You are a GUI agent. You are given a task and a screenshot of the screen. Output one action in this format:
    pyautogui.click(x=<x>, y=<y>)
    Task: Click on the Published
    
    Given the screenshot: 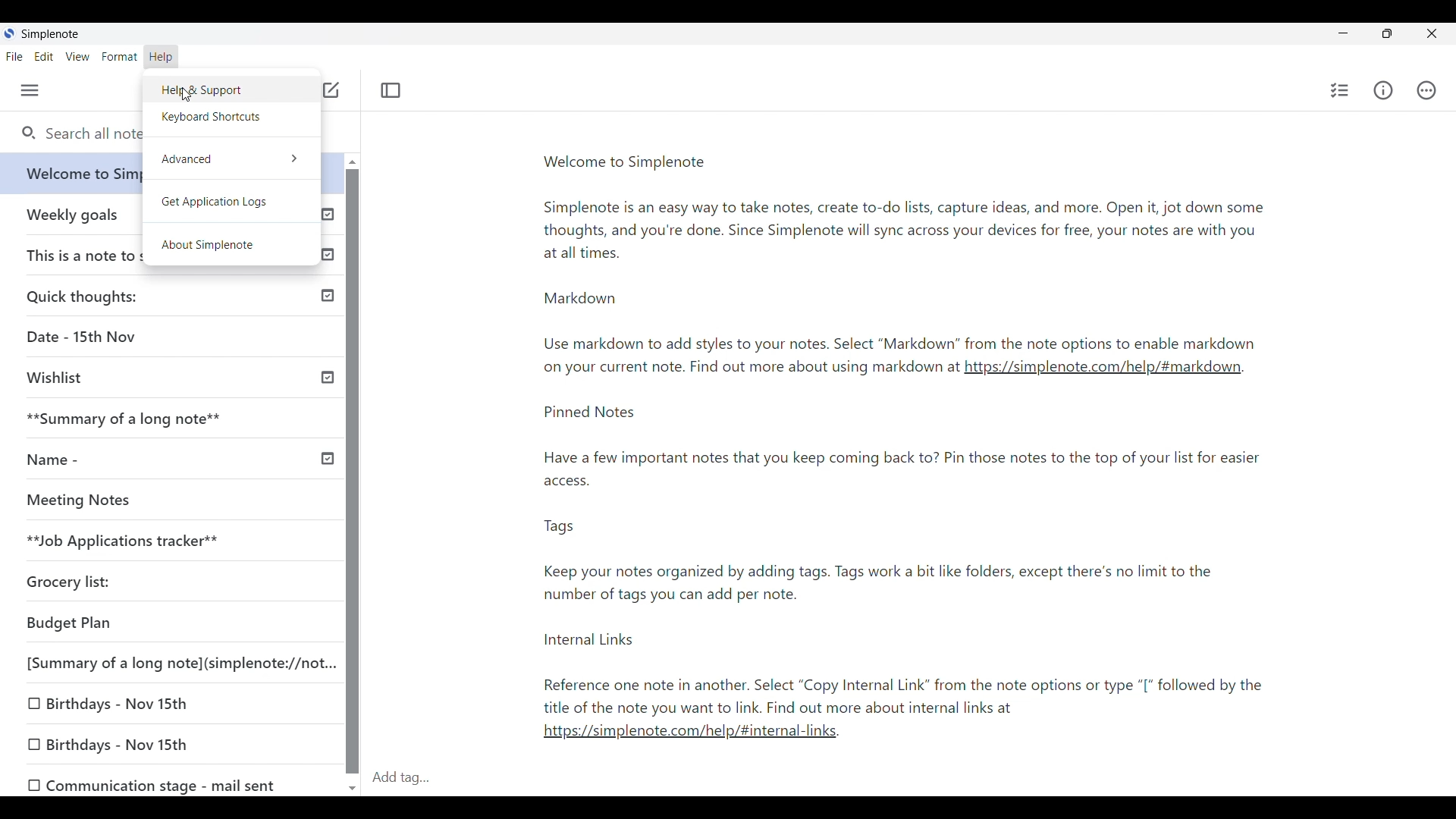 What is the action you would take?
    pyautogui.click(x=325, y=294)
    